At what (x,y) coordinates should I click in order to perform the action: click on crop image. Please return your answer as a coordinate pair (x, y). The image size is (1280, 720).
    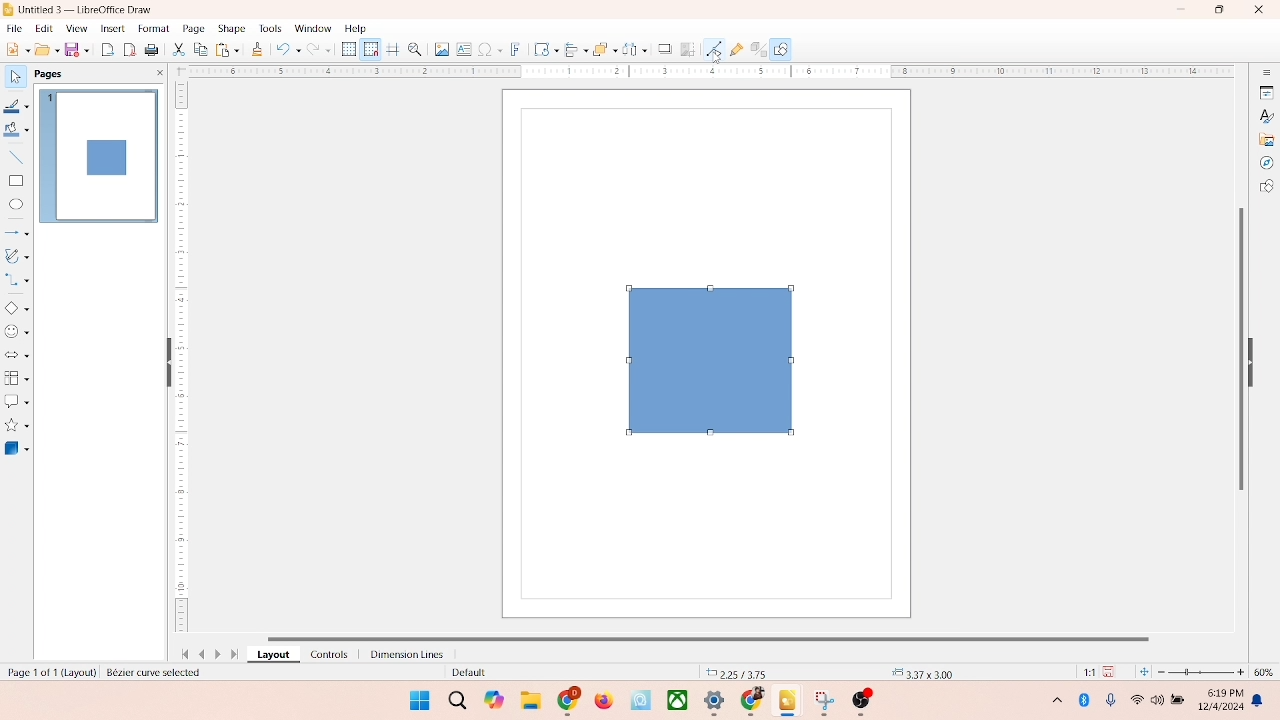
    Looking at the image, I should click on (688, 49).